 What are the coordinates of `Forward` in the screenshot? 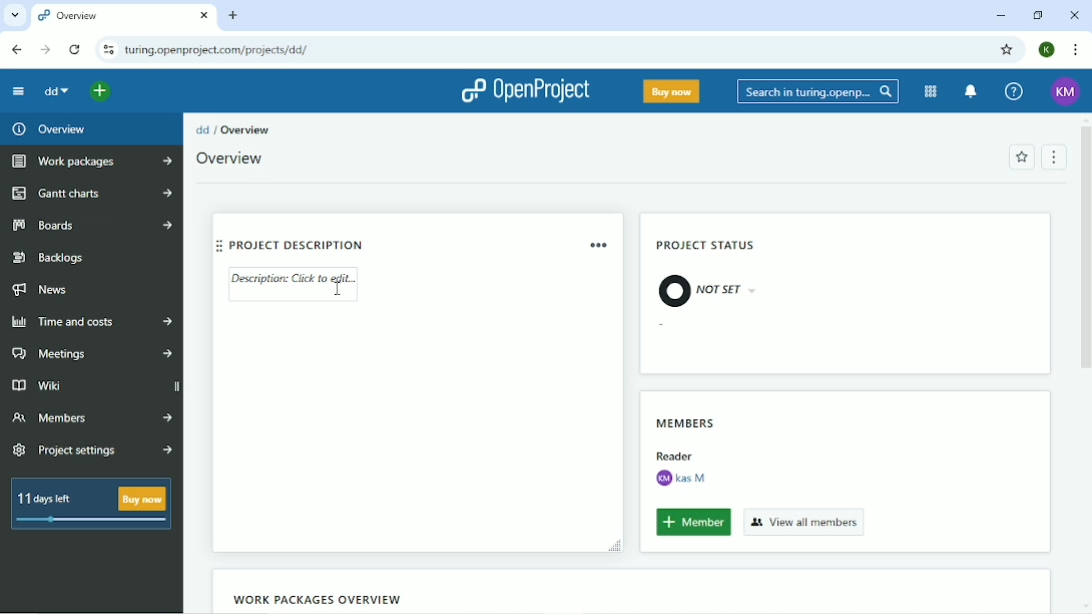 It's located at (45, 49).